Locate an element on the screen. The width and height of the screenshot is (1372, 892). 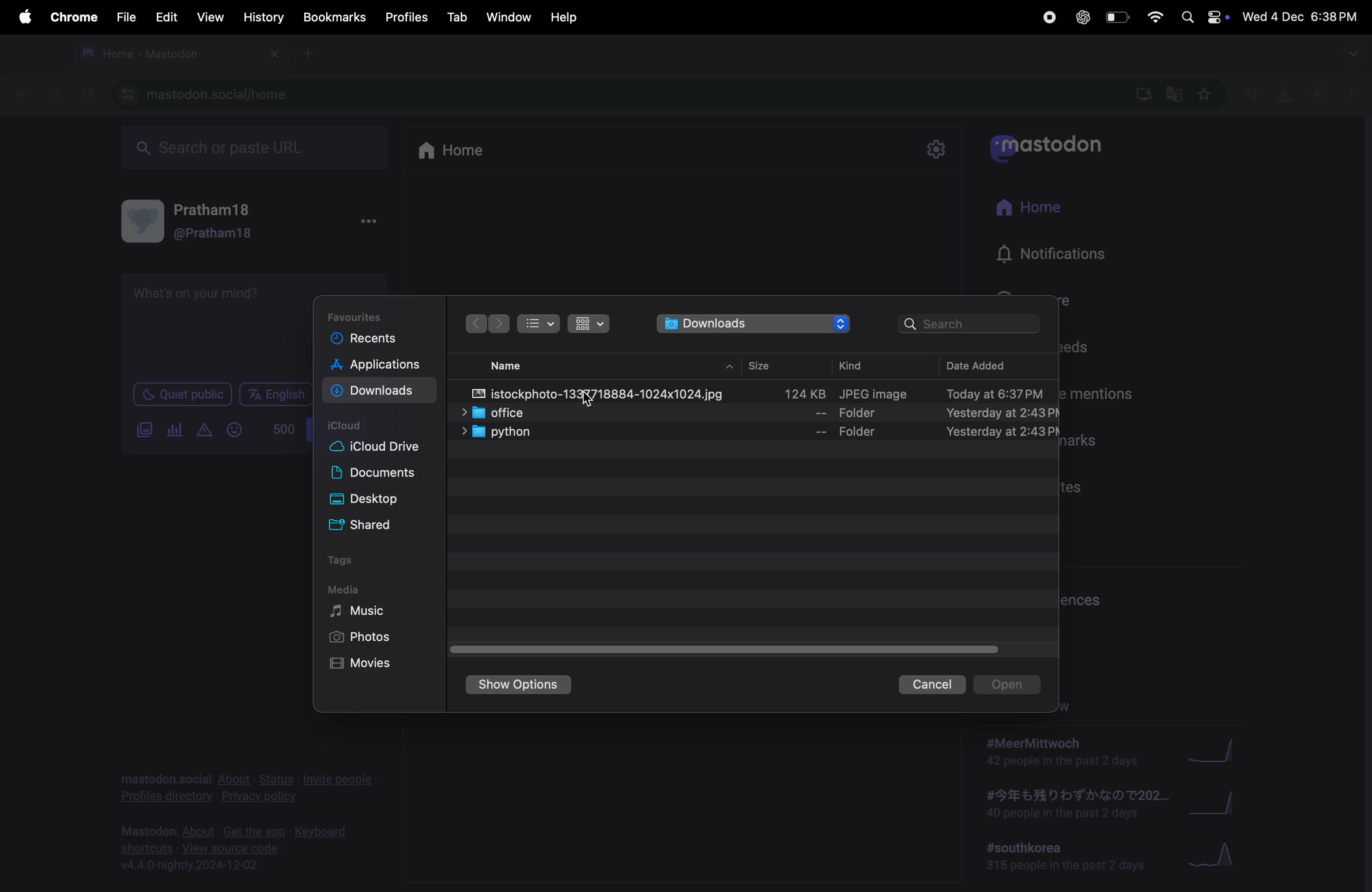
user profile is located at coordinates (201, 220).